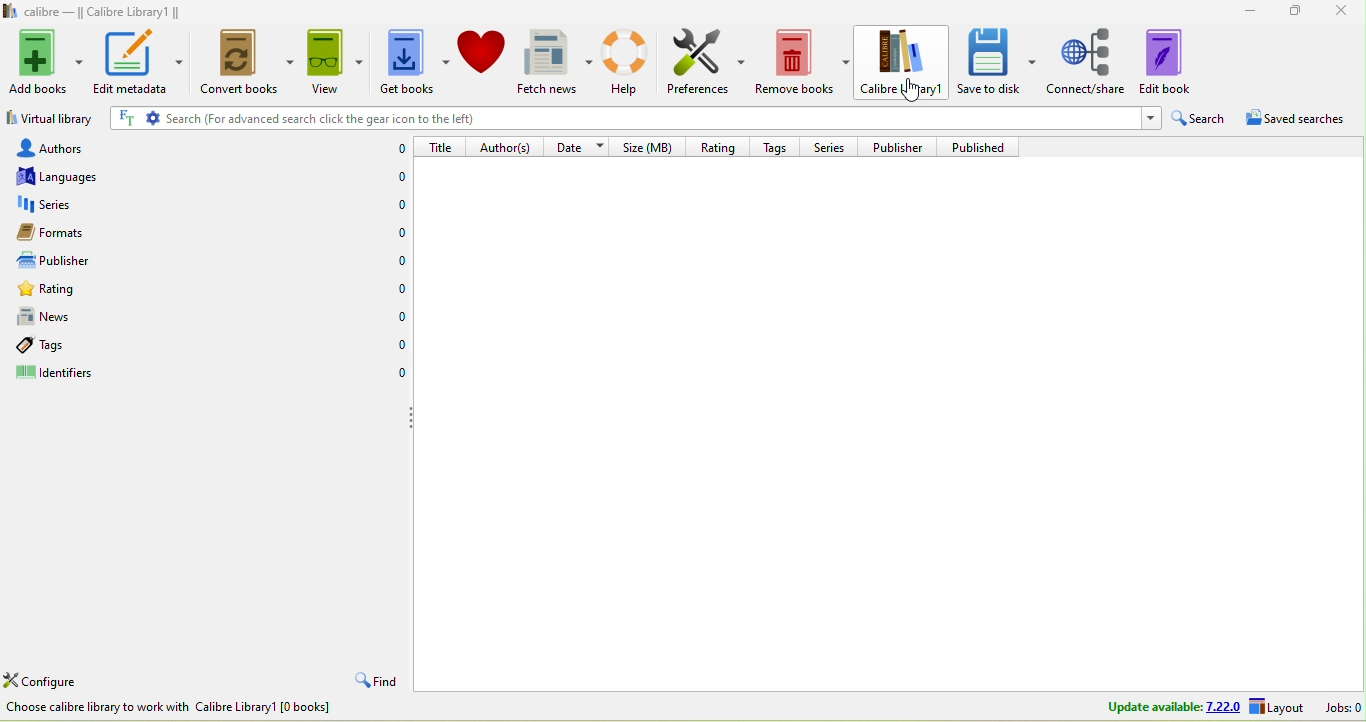 The image size is (1366, 722). Describe the element at coordinates (411, 63) in the screenshot. I see `get books` at that location.